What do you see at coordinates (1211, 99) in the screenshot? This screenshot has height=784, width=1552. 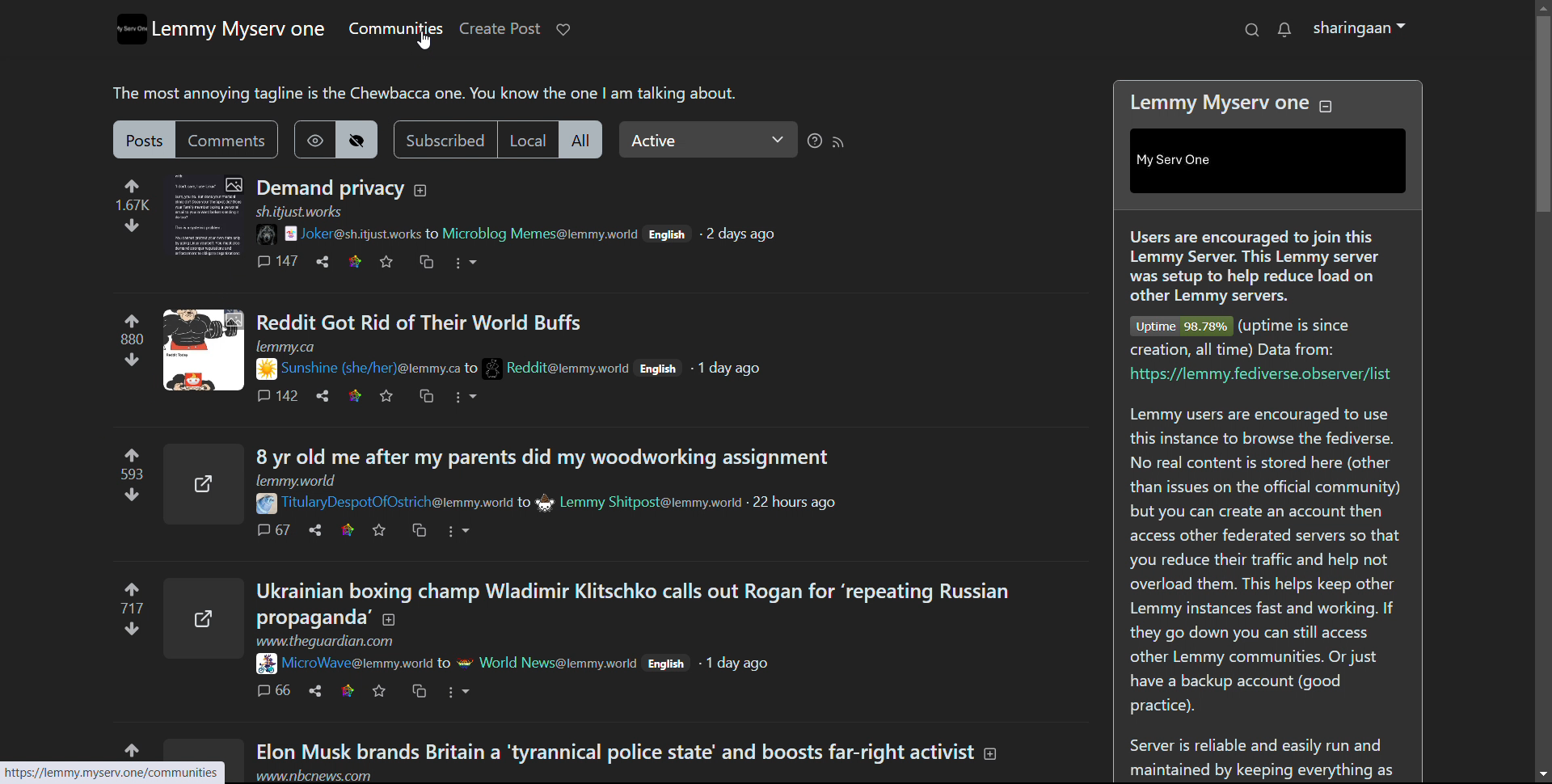 I see `Lemmy Myserv one` at bounding box center [1211, 99].